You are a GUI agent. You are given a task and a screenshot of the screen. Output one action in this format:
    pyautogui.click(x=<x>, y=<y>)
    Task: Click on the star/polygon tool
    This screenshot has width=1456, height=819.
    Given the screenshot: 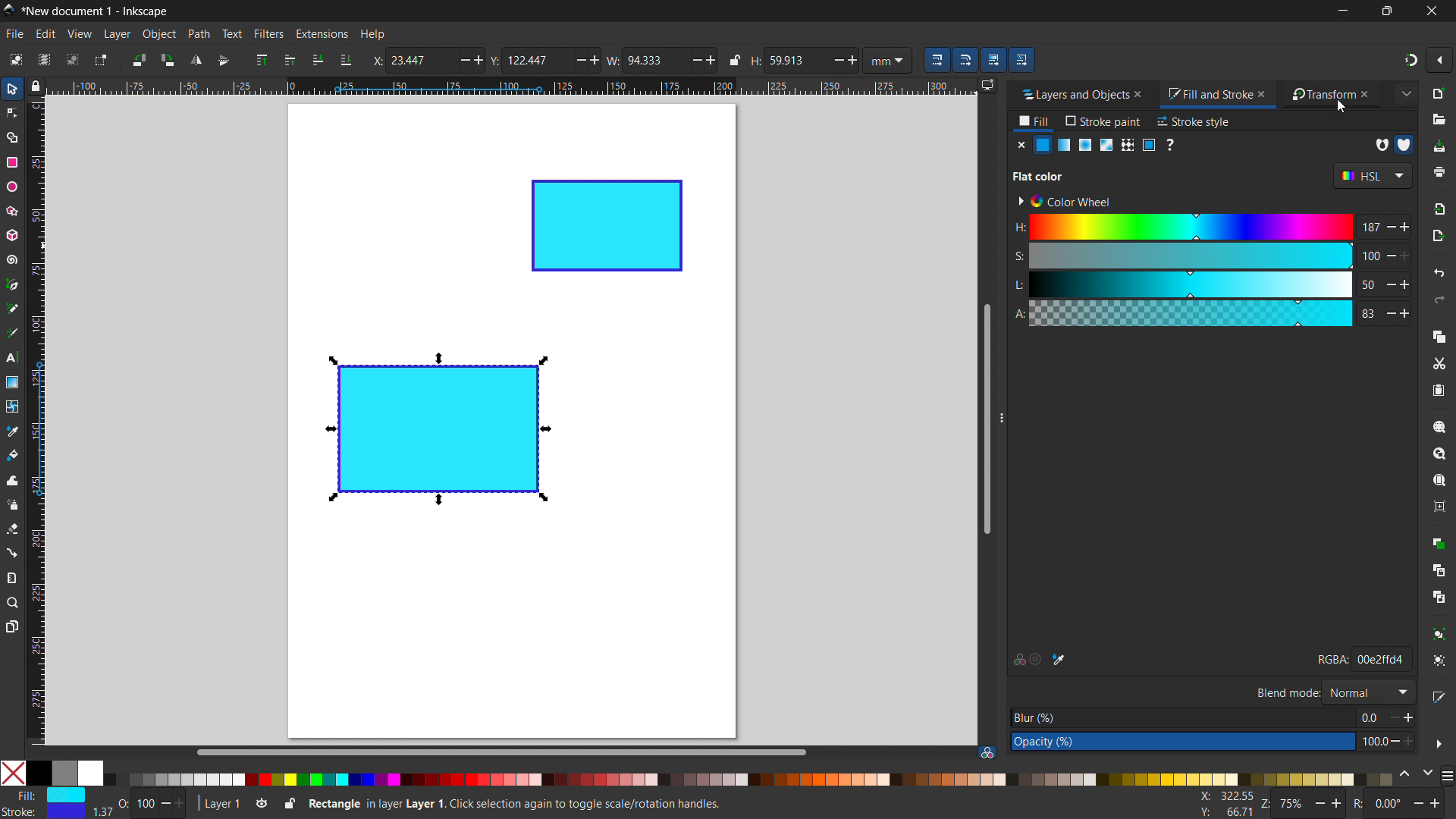 What is the action you would take?
    pyautogui.click(x=10, y=210)
    